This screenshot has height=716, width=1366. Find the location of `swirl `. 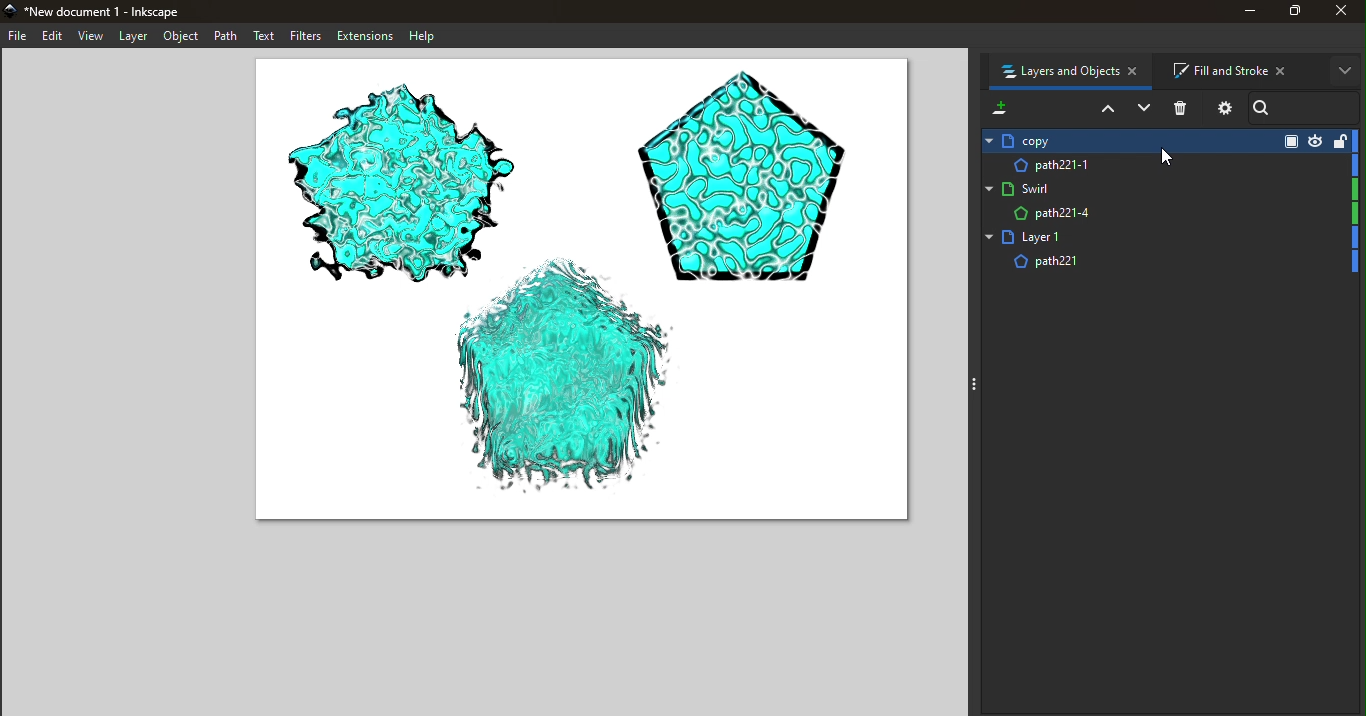

swirl  is located at coordinates (1169, 187).